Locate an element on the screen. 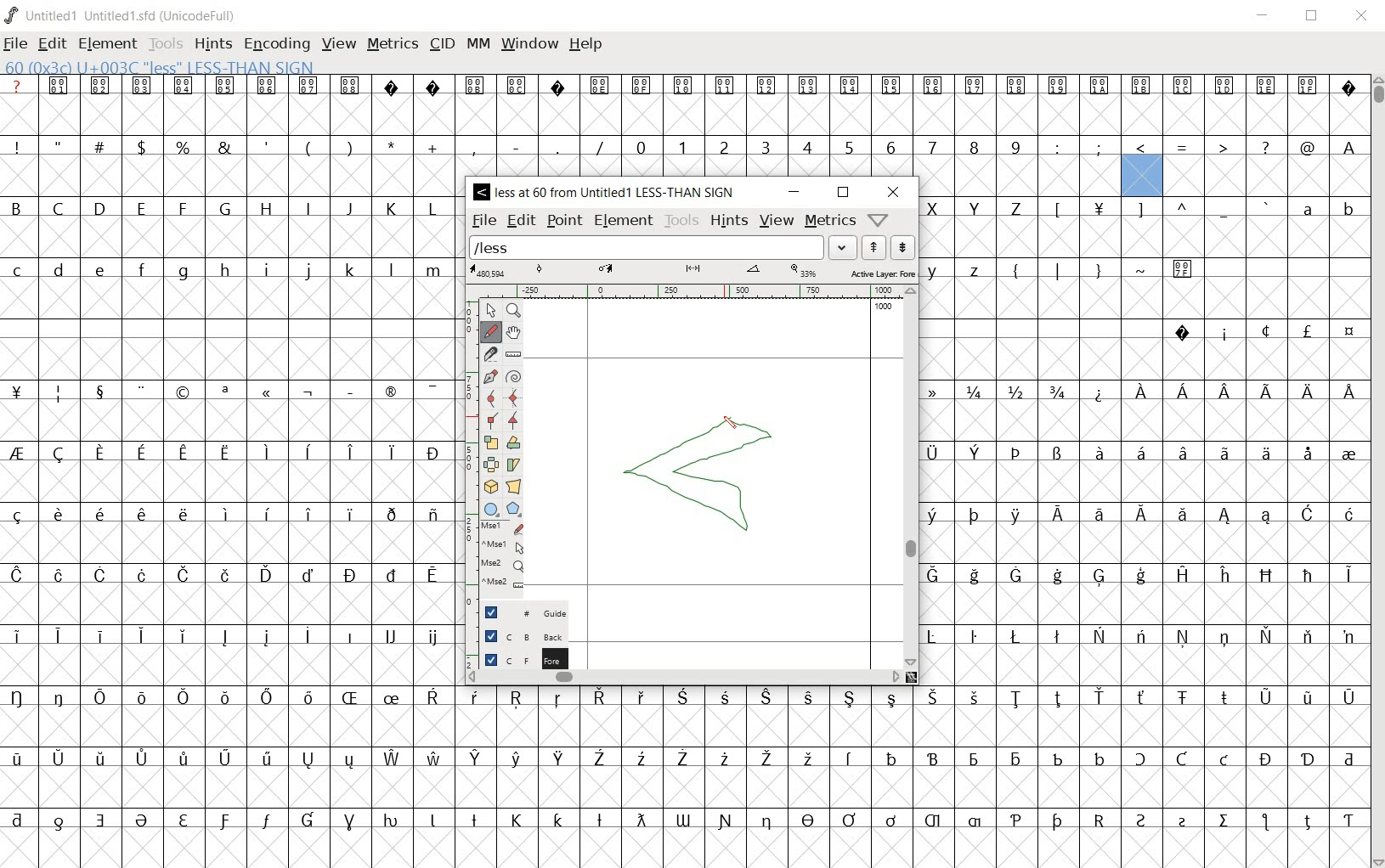 This screenshot has height=868, width=1385. cut splines in two is located at coordinates (490, 353).